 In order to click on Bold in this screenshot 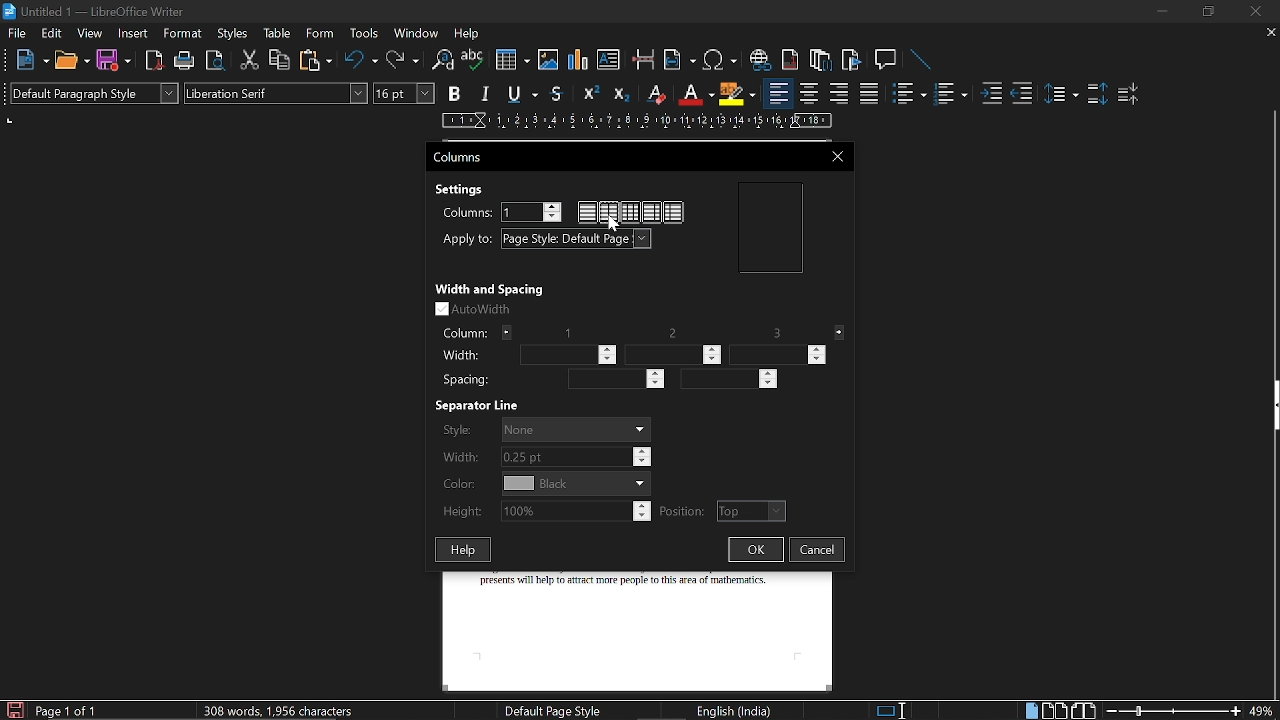, I will do `click(456, 93)`.